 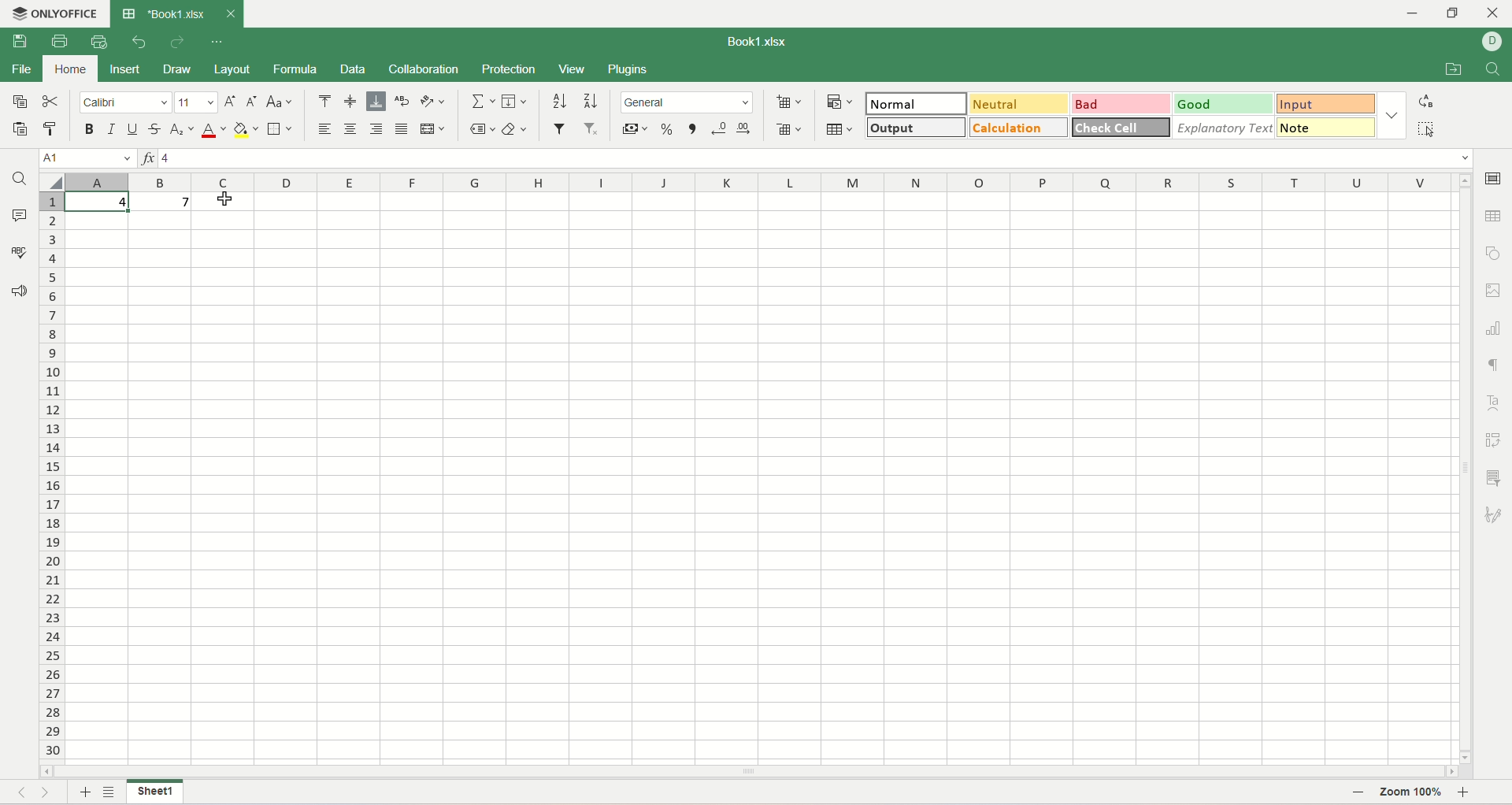 I want to click on summation, so click(x=481, y=101).